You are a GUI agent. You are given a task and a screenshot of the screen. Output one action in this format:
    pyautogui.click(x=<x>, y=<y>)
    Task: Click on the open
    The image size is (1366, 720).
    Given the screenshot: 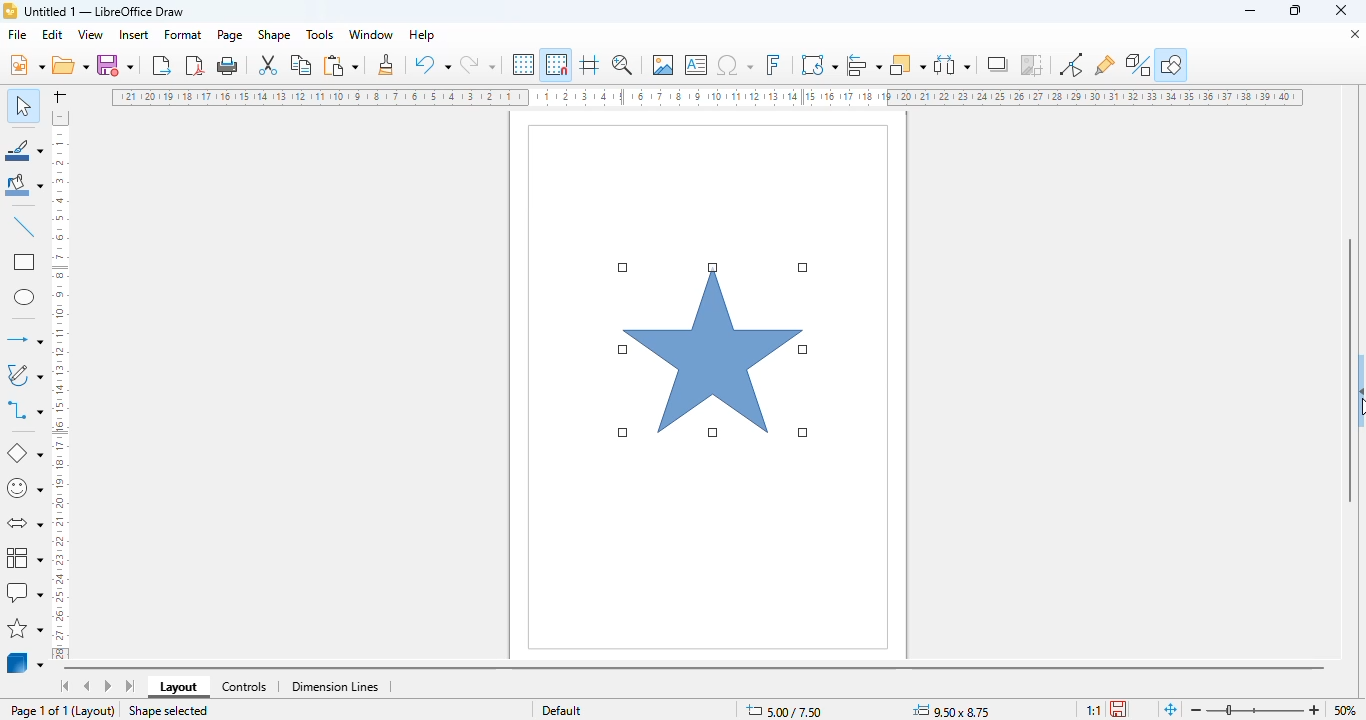 What is the action you would take?
    pyautogui.click(x=71, y=65)
    